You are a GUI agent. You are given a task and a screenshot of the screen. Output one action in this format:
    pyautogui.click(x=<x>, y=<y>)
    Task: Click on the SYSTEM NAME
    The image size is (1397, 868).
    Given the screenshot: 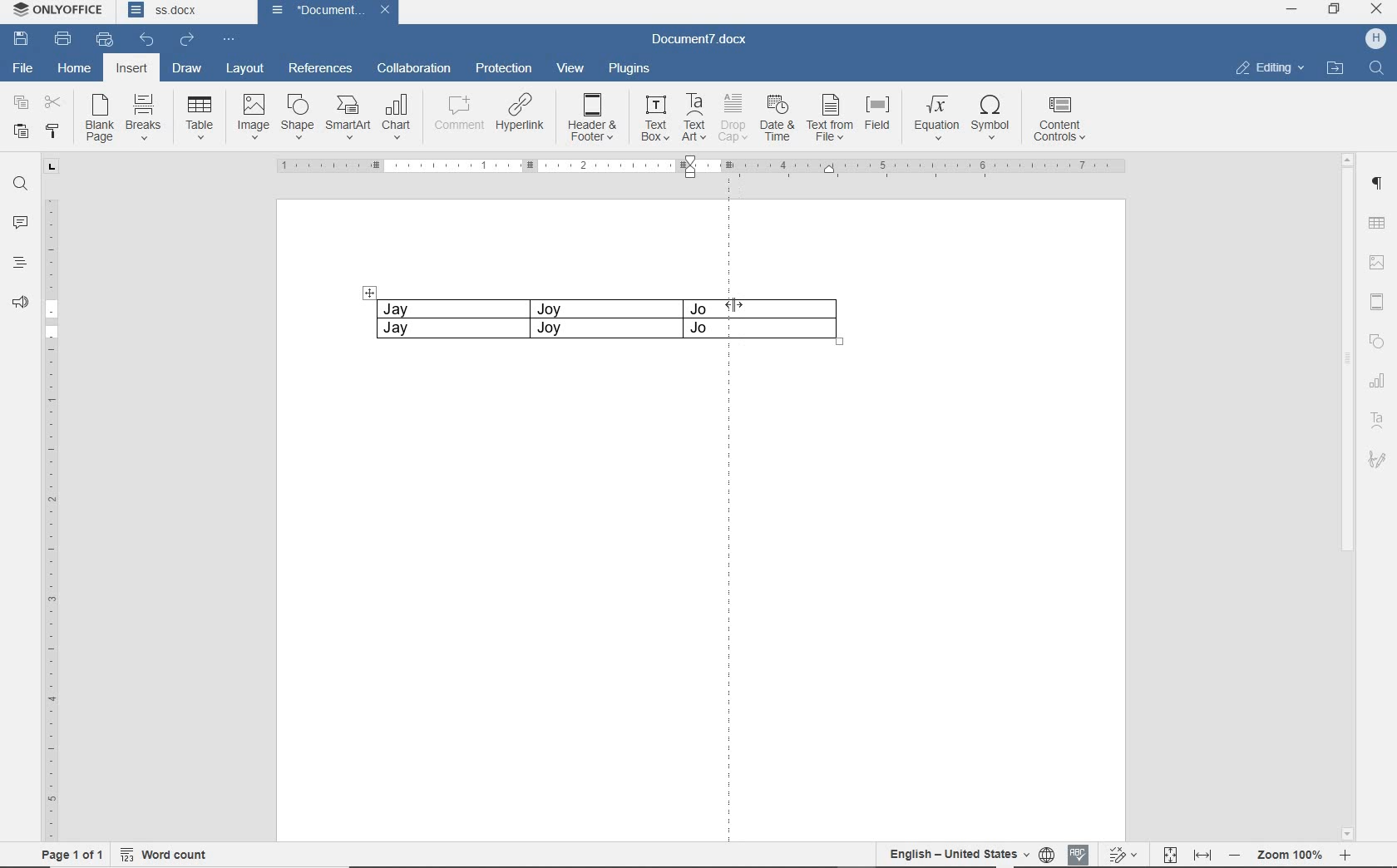 What is the action you would take?
    pyautogui.click(x=62, y=12)
    